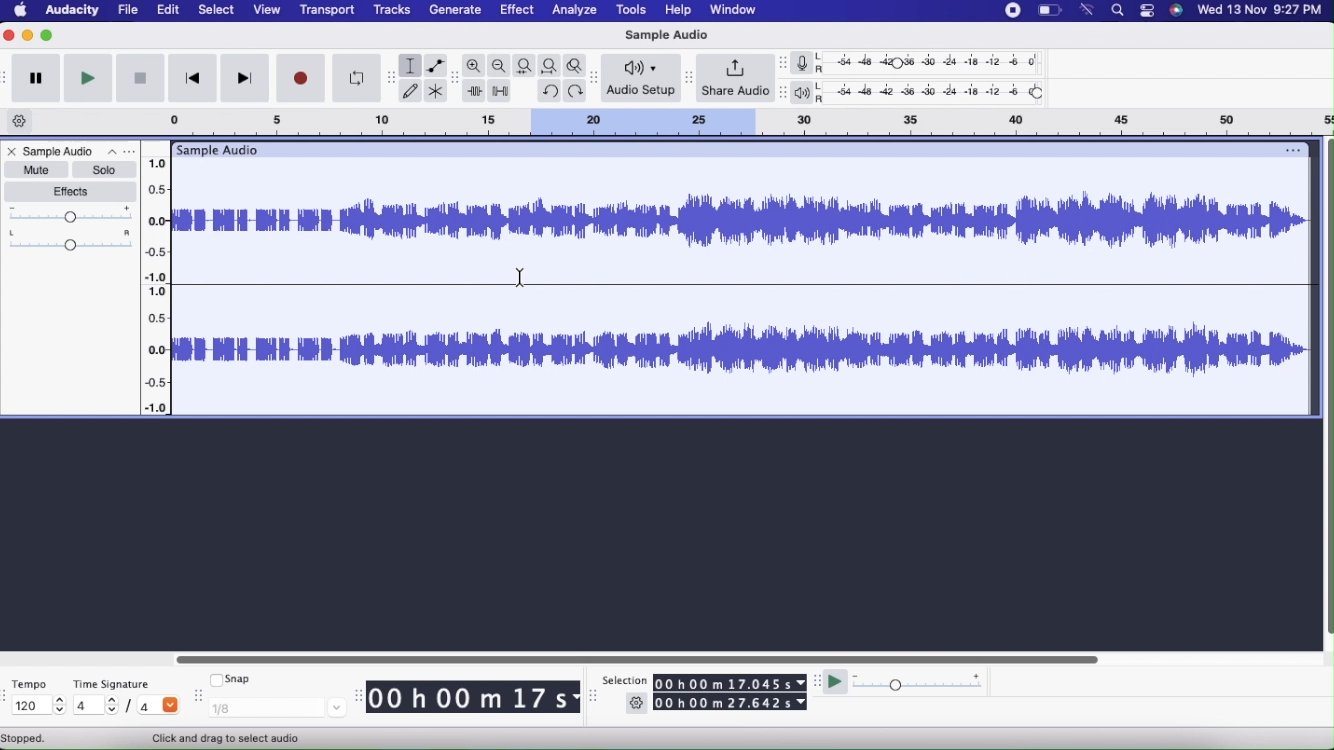 This screenshot has height=750, width=1334. Describe the element at coordinates (95, 704) in the screenshot. I see `4` at that location.